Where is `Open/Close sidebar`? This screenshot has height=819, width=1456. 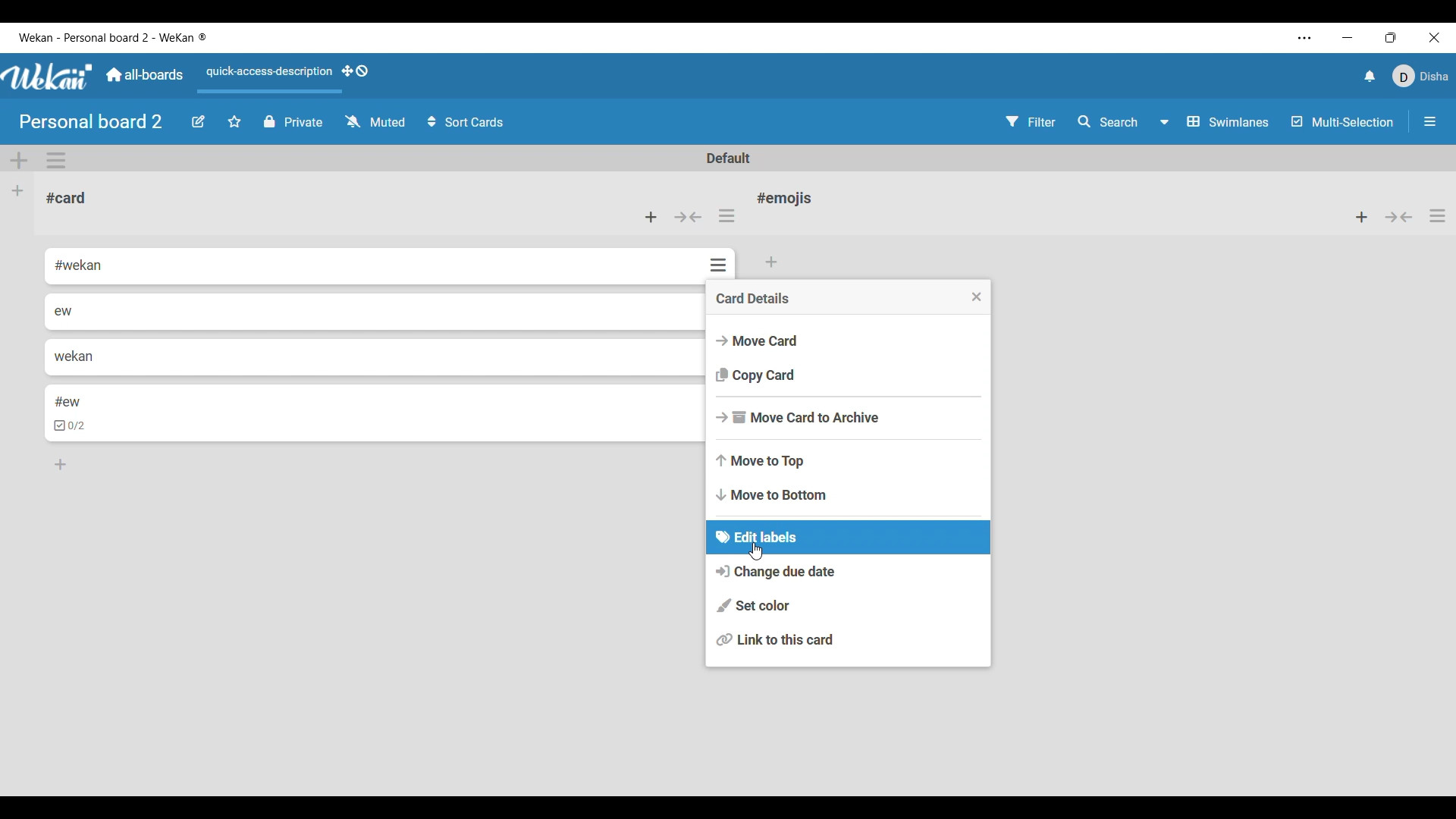 Open/Close sidebar is located at coordinates (1430, 121).